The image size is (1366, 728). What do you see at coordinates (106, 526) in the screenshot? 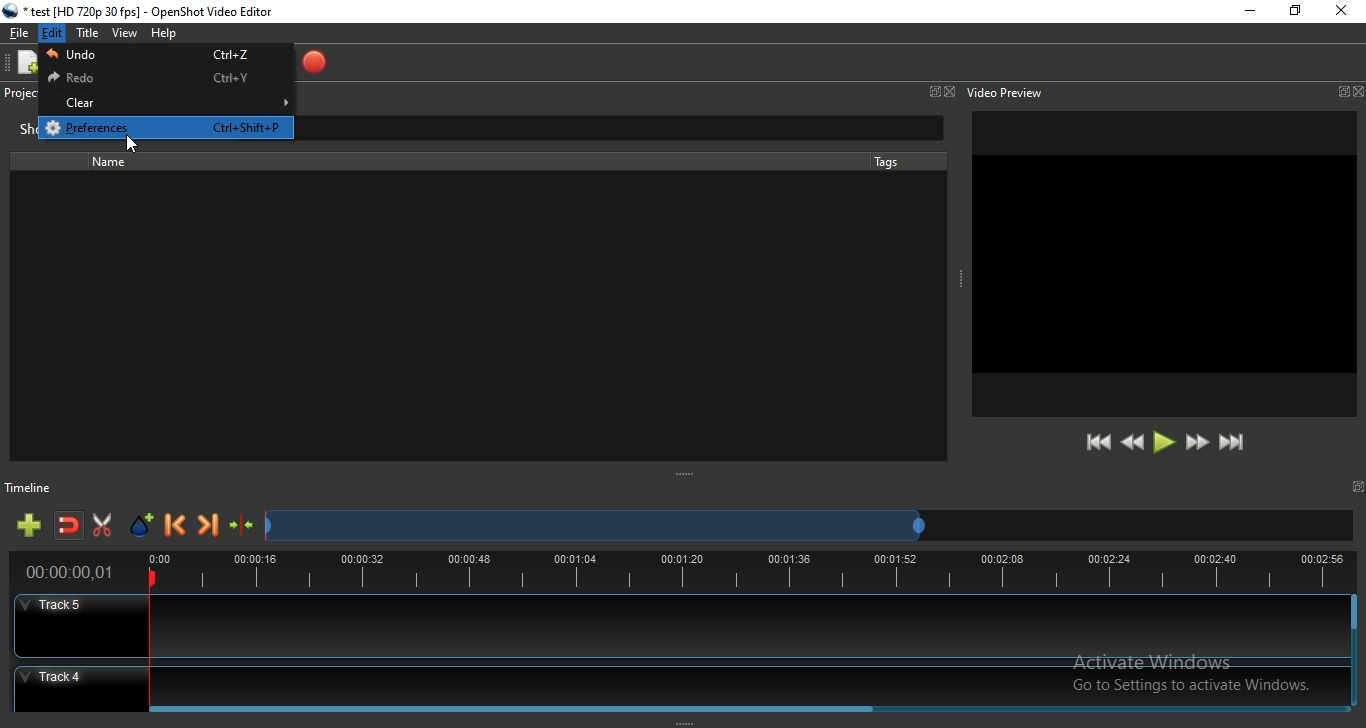
I see `Enable razor` at bounding box center [106, 526].